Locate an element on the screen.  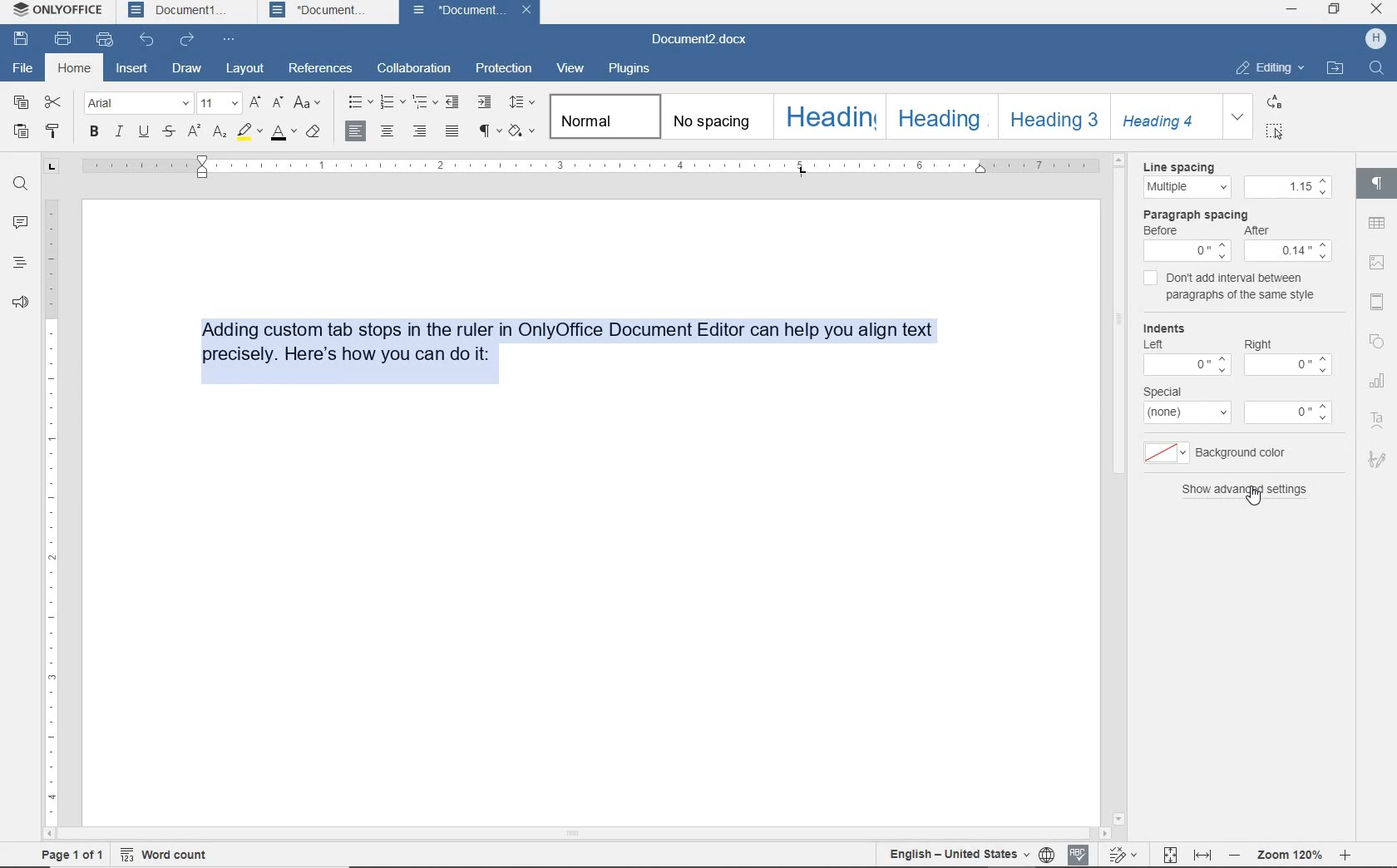
zoom 120% is located at coordinates (1291, 857).